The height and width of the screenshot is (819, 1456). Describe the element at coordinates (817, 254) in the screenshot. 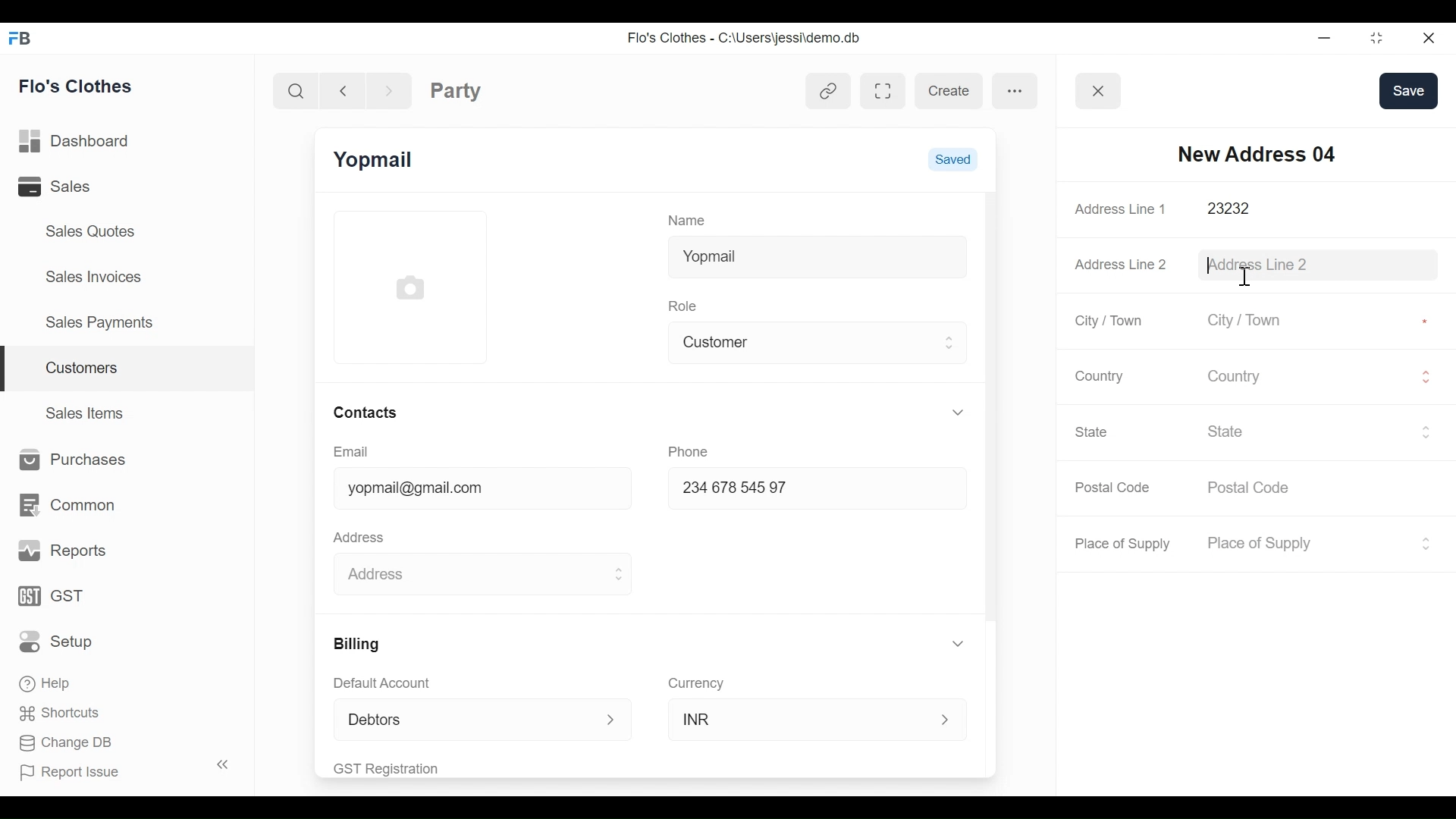

I see `Yopmail` at that location.